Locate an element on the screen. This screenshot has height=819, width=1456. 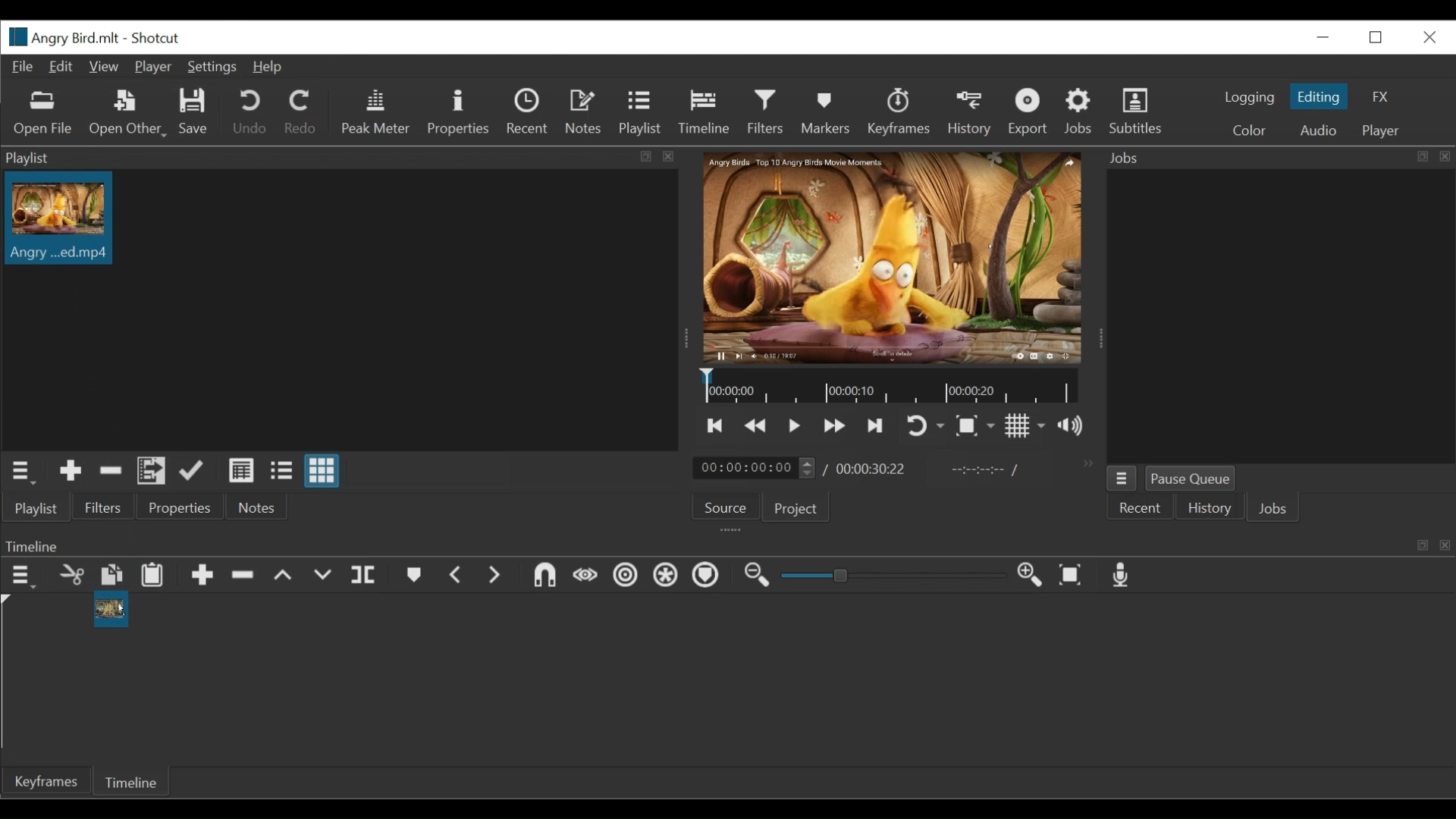
Clip  is located at coordinates (58, 223).